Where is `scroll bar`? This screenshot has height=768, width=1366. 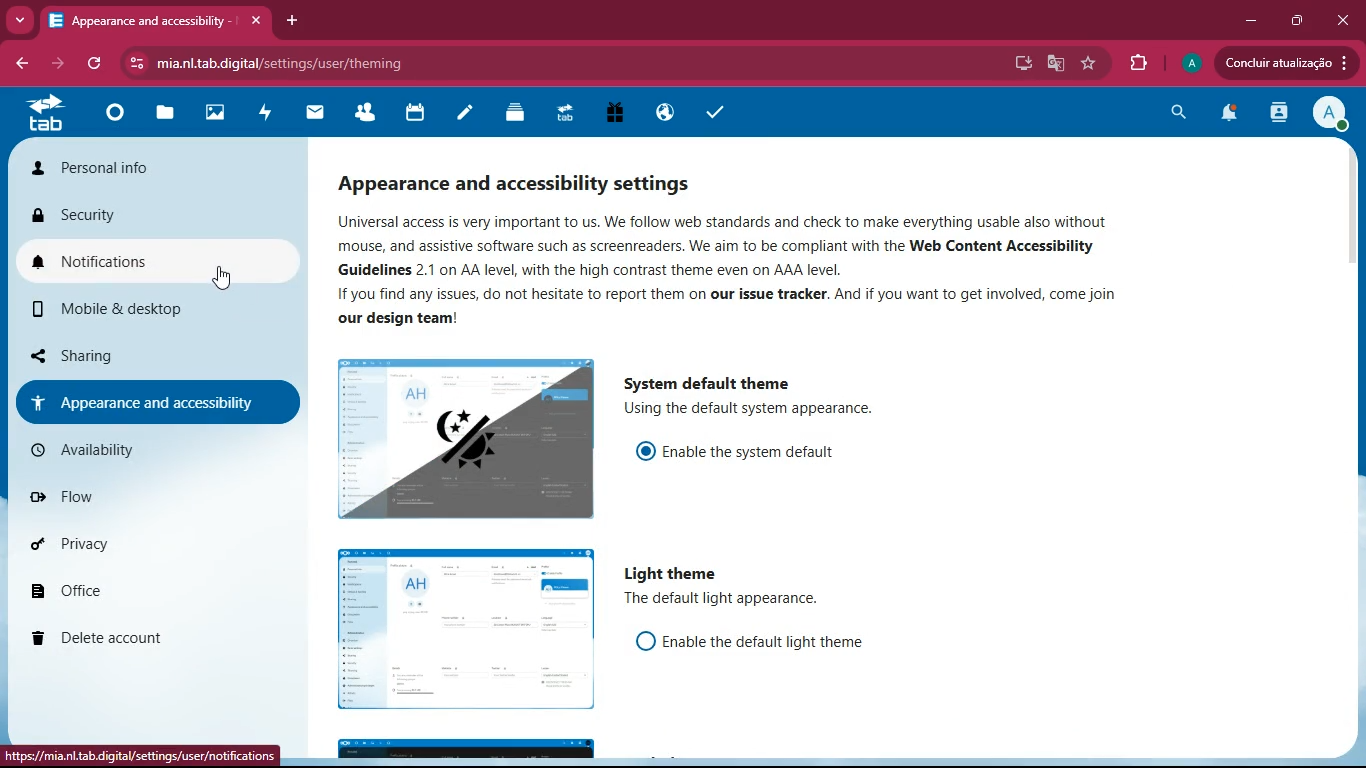
scroll bar is located at coordinates (1352, 200).